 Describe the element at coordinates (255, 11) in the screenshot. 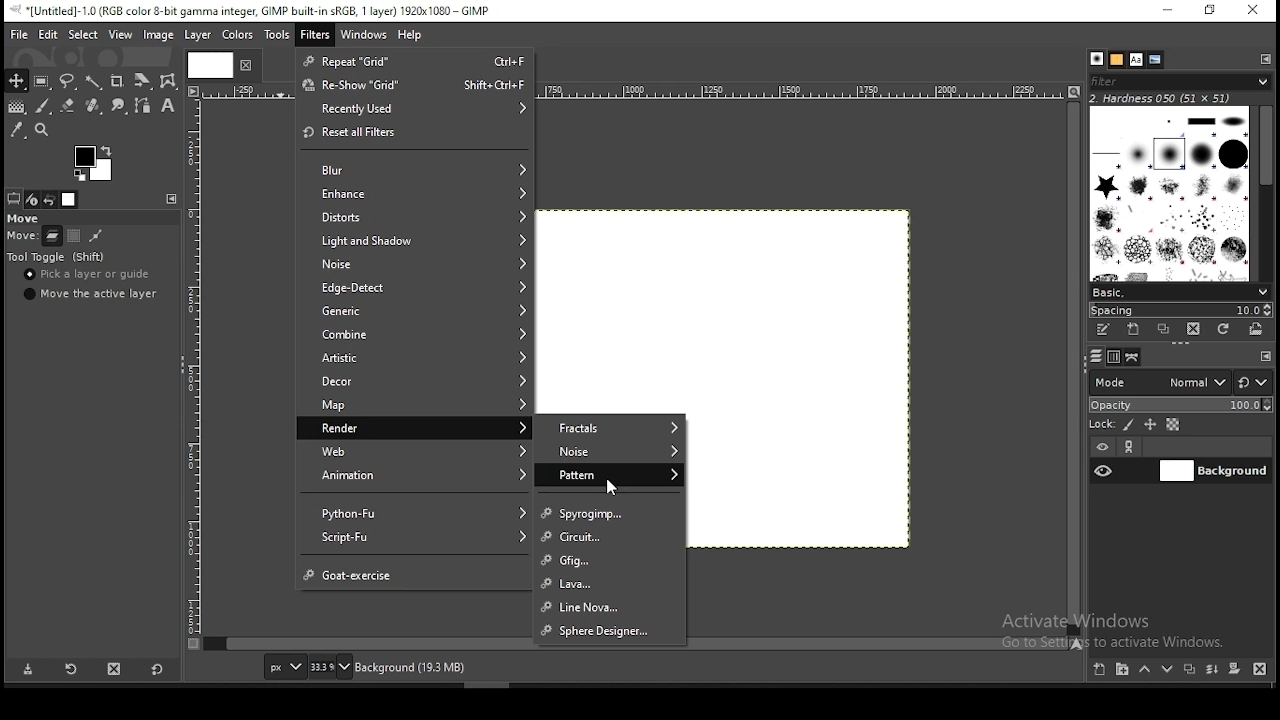

I see `*[untitled]-1.0 (rgb color 8-bit gamma integer, gimp built-in sRGB, 1 layer) 1920x1080 - gimp` at that location.